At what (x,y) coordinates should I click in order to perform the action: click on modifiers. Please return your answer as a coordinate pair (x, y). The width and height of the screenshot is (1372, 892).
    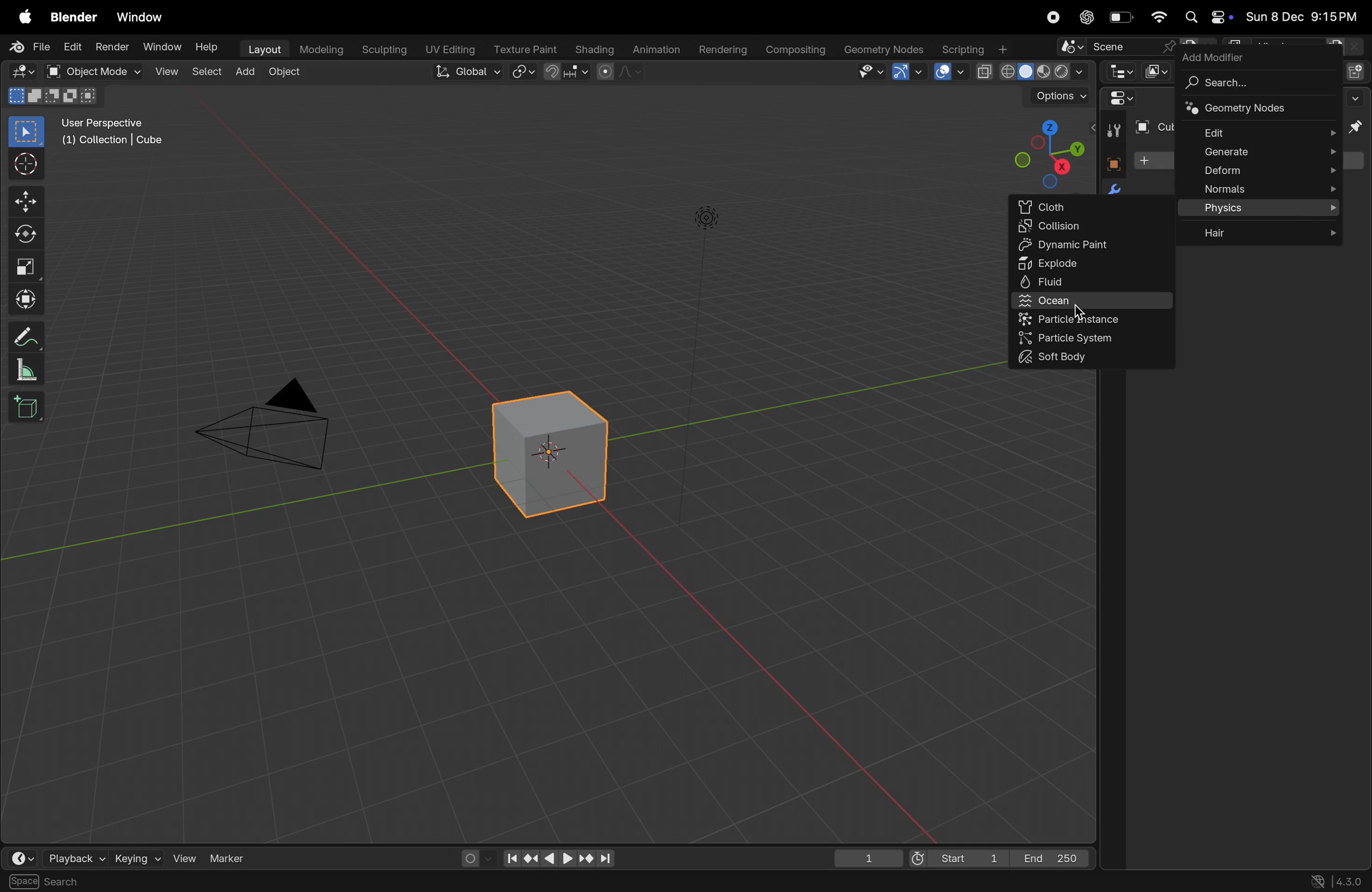
    Looking at the image, I should click on (1113, 186).